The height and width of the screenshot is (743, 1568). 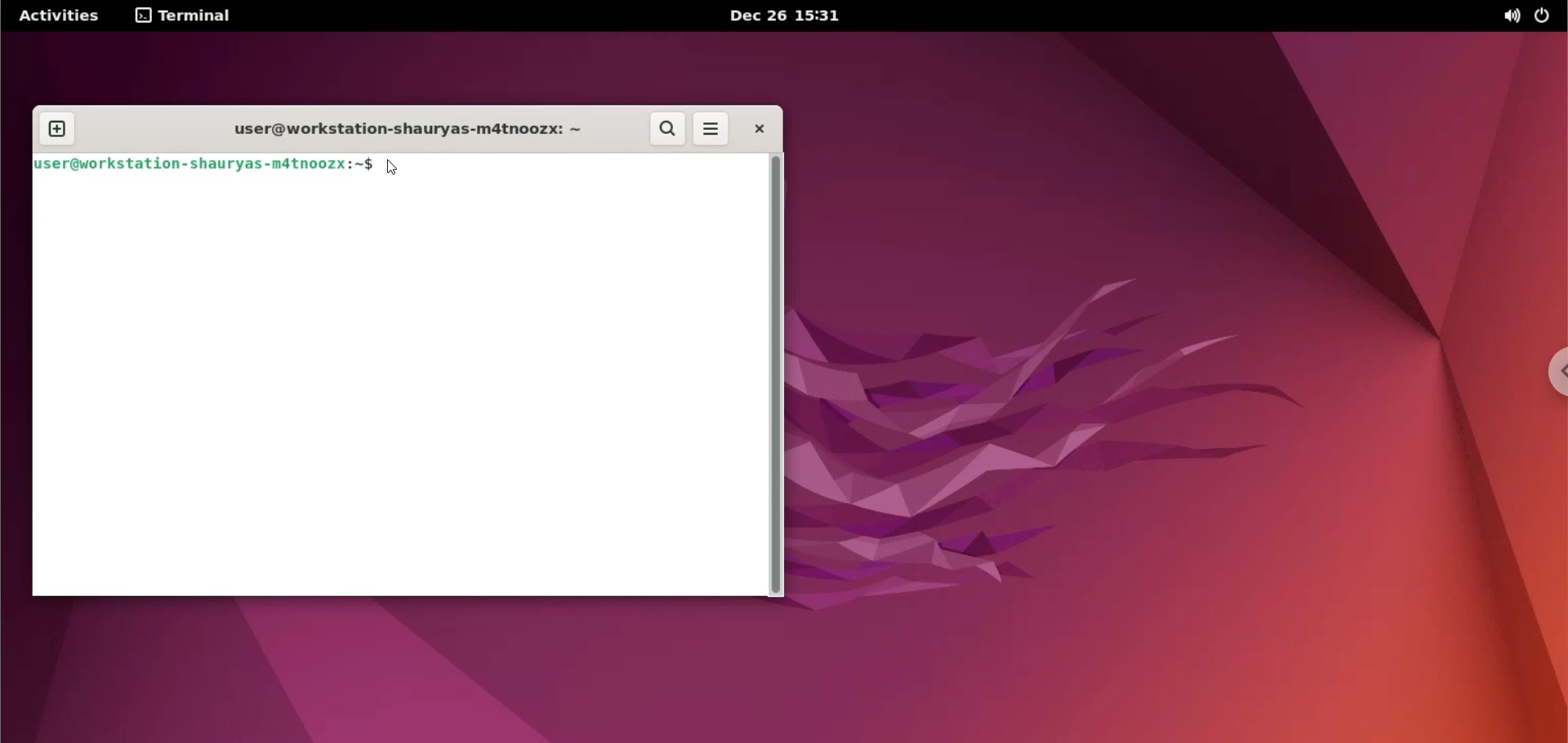 I want to click on terminal, so click(x=189, y=18).